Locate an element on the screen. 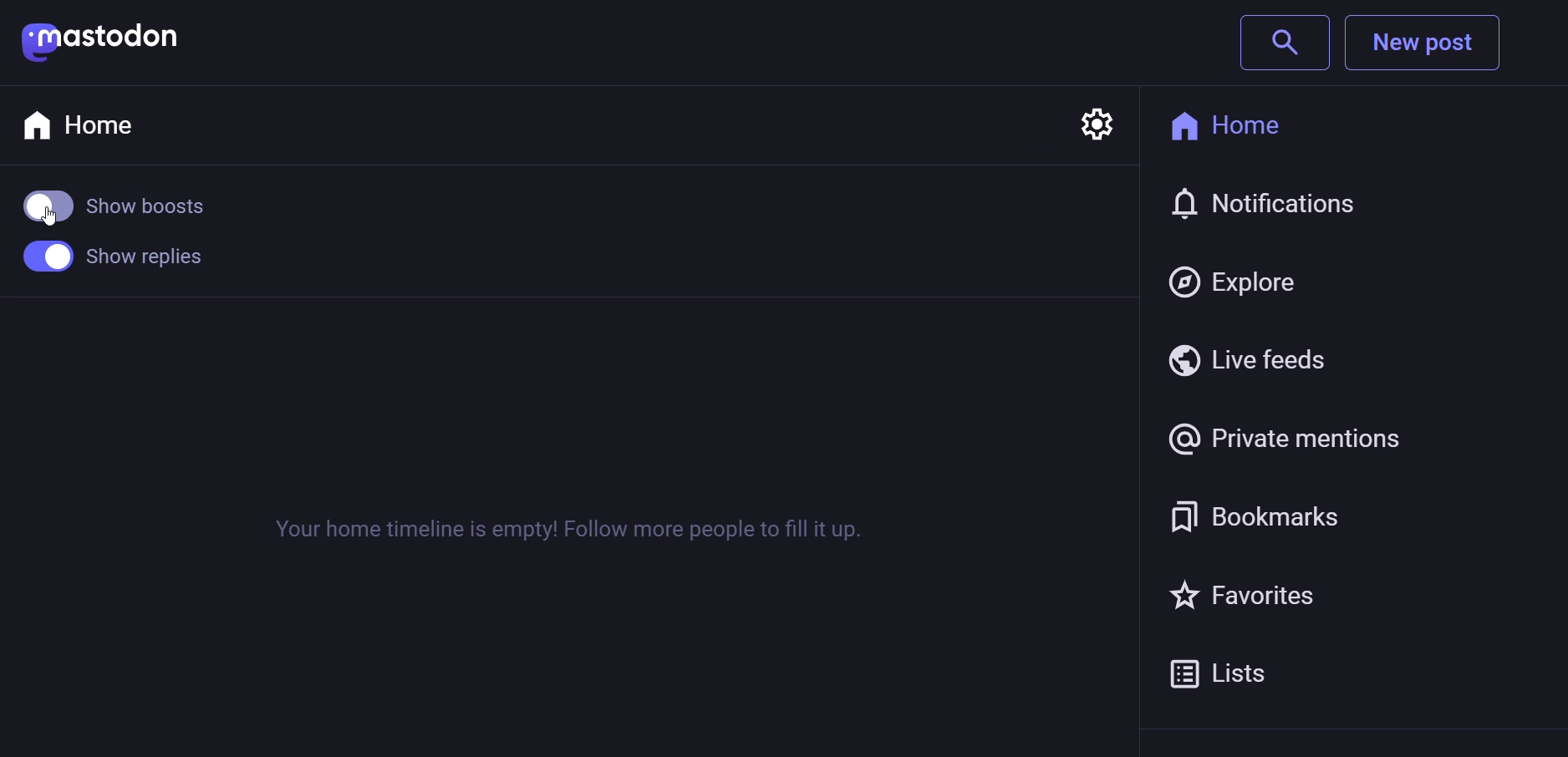 The height and width of the screenshot is (757, 1568). explore is located at coordinates (1240, 276).